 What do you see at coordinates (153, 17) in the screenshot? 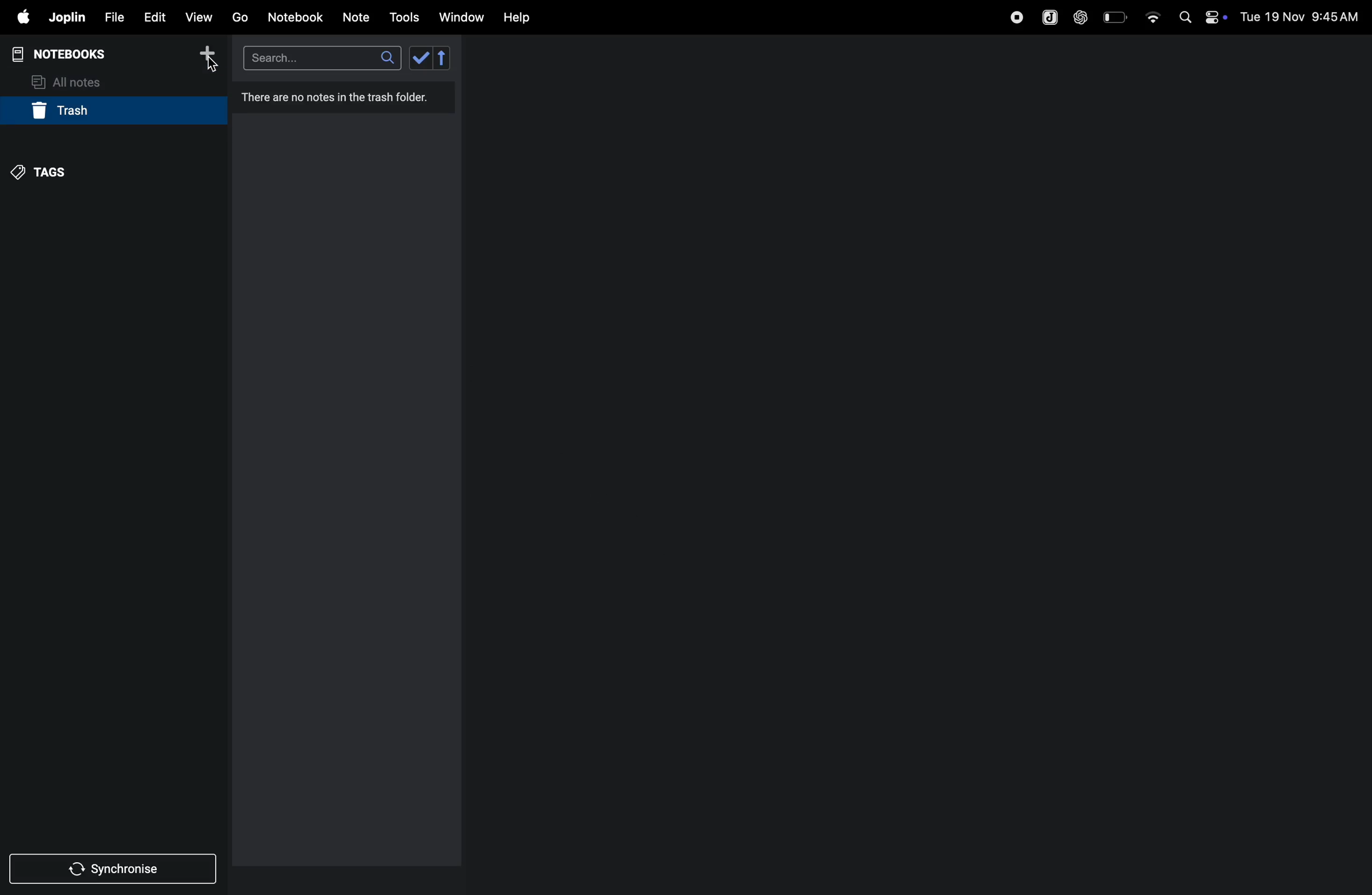
I see `edit` at bounding box center [153, 17].